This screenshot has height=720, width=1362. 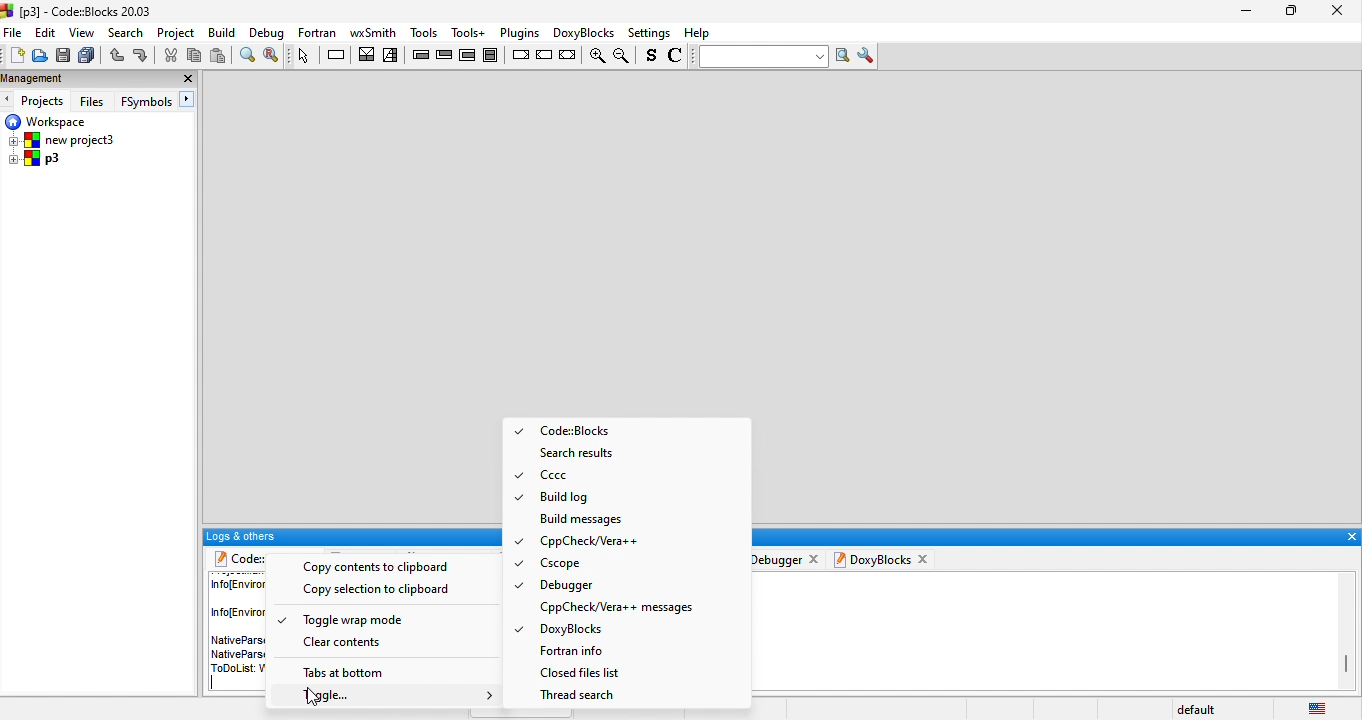 I want to click on tools, so click(x=469, y=32).